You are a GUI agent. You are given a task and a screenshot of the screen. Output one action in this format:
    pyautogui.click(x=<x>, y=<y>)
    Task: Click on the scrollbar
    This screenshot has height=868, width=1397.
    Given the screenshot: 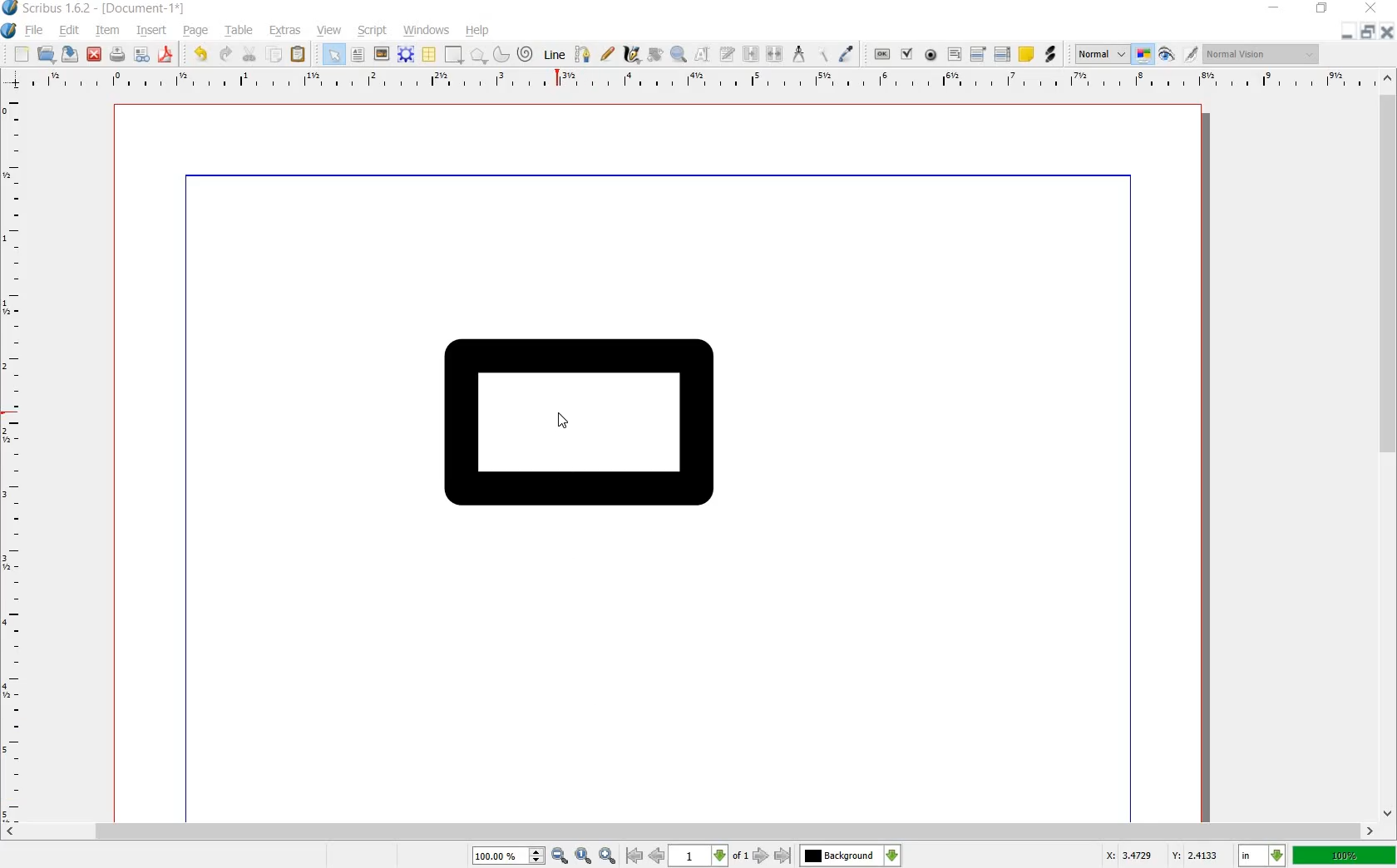 What is the action you would take?
    pyautogui.click(x=1389, y=447)
    